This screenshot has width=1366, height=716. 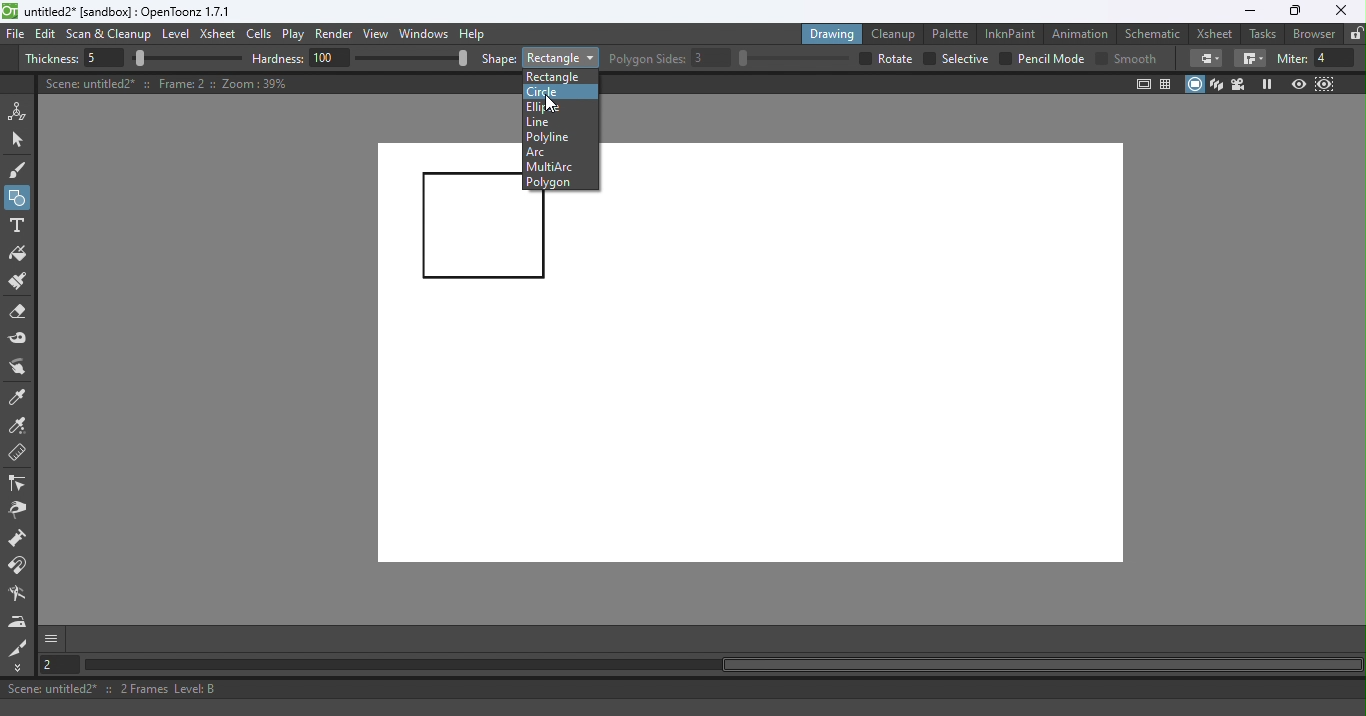 What do you see at coordinates (297, 35) in the screenshot?
I see `Play` at bounding box center [297, 35].